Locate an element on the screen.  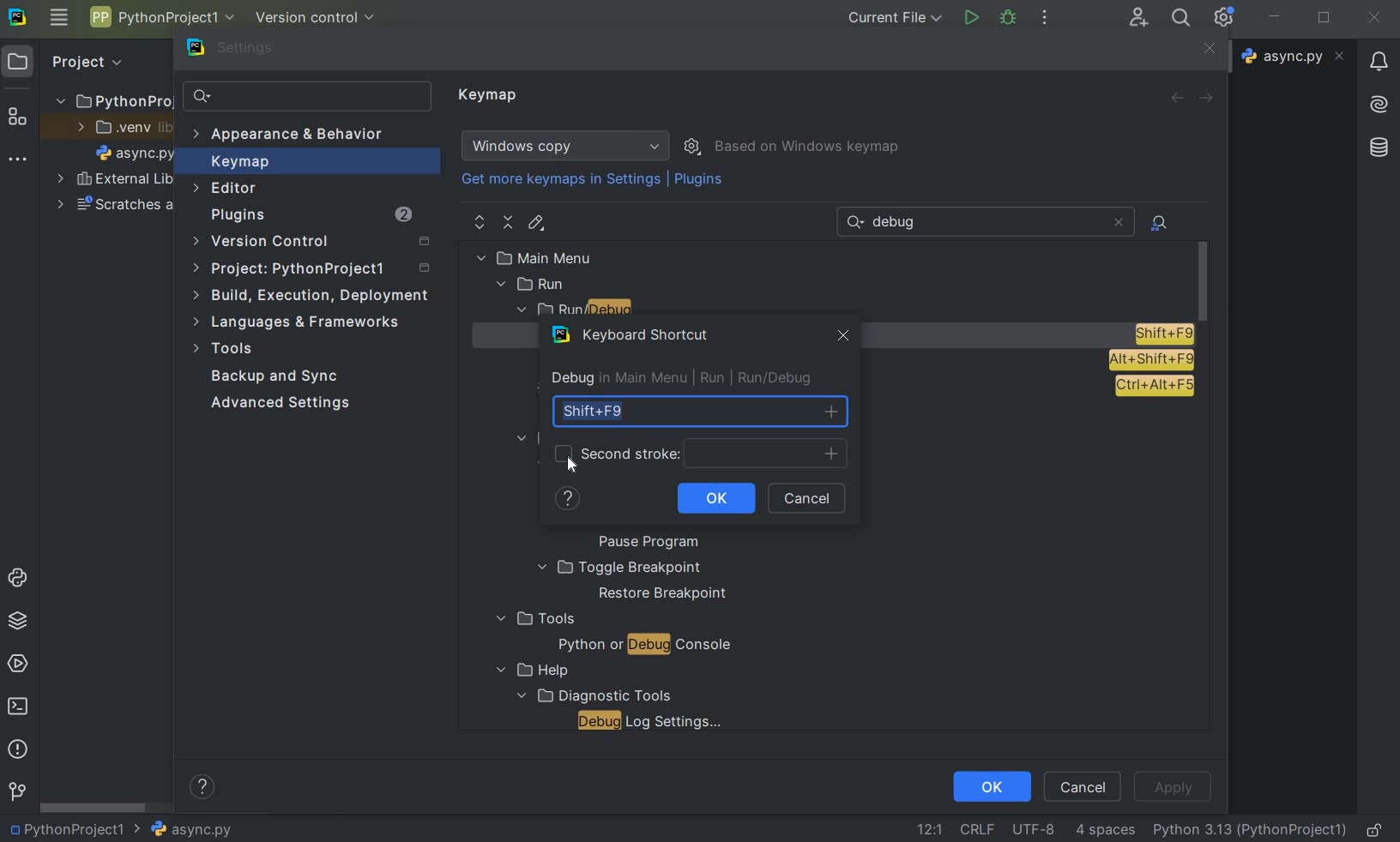
system logo is located at coordinates (16, 15).